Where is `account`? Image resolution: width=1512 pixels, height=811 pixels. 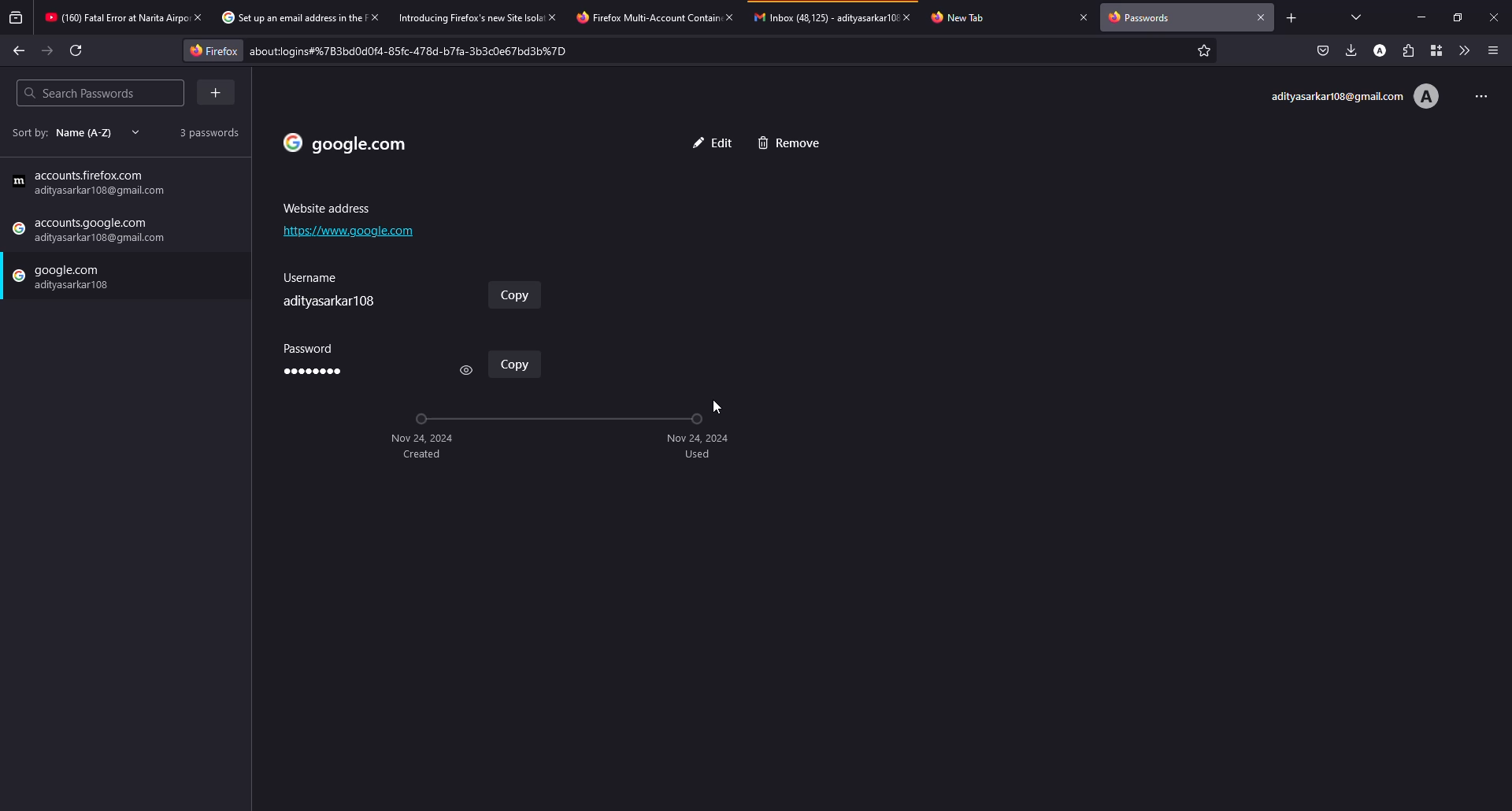 account is located at coordinates (1382, 50).